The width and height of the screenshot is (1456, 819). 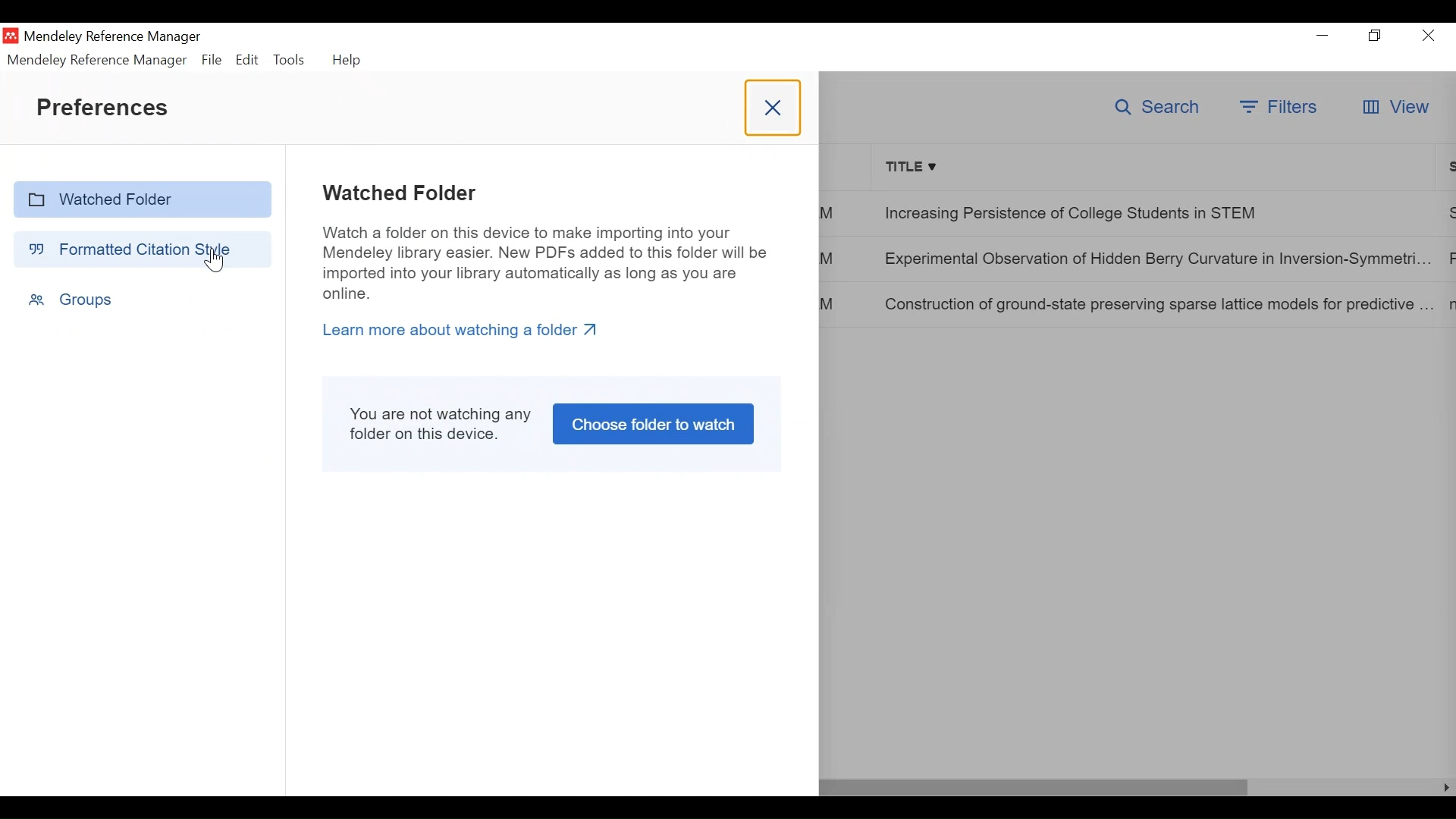 What do you see at coordinates (1159, 108) in the screenshot?
I see `Search ` at bounding box center [1159, 108].